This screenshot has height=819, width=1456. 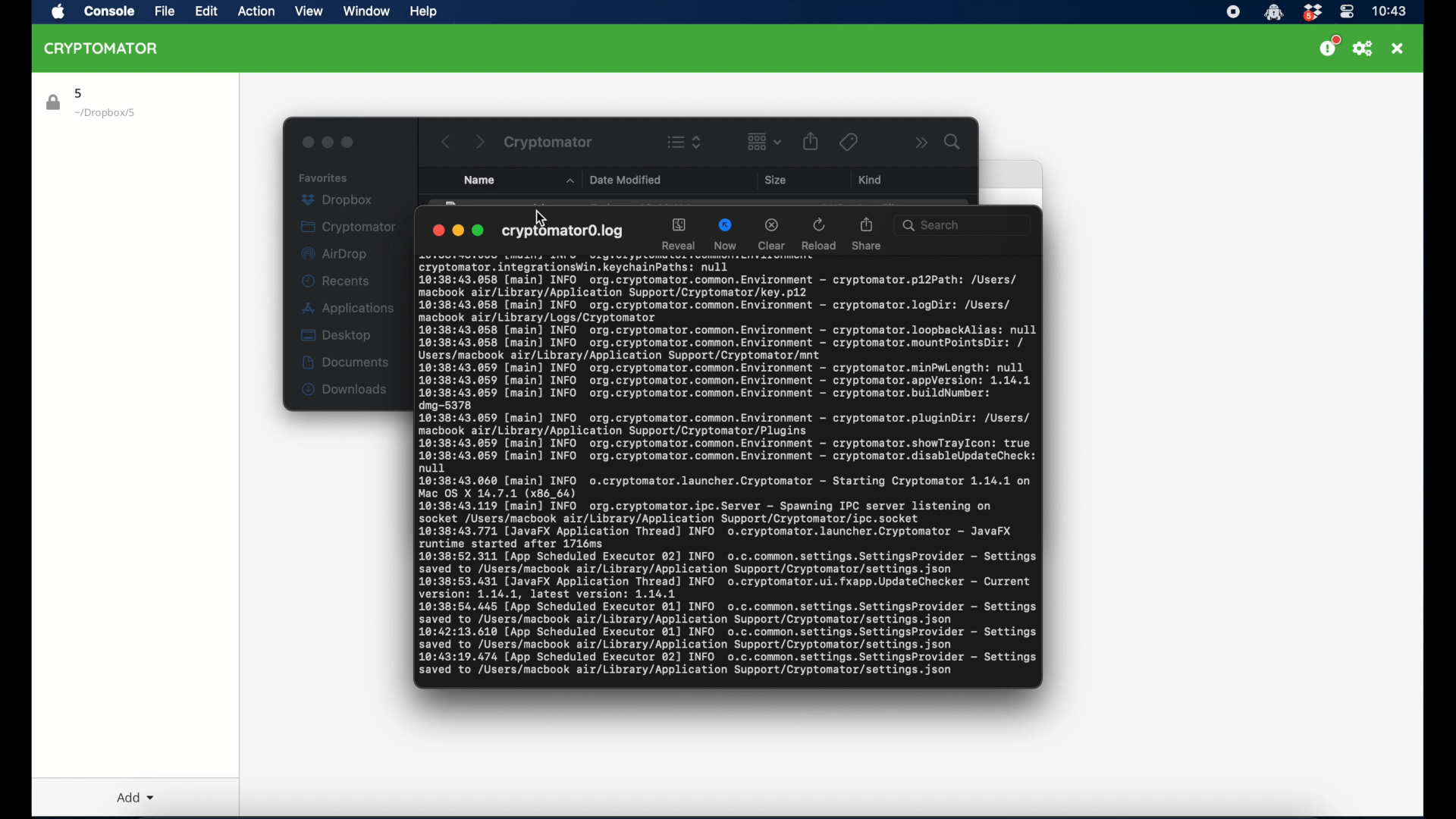 I want to click on kind, so click(x=870, y=180).